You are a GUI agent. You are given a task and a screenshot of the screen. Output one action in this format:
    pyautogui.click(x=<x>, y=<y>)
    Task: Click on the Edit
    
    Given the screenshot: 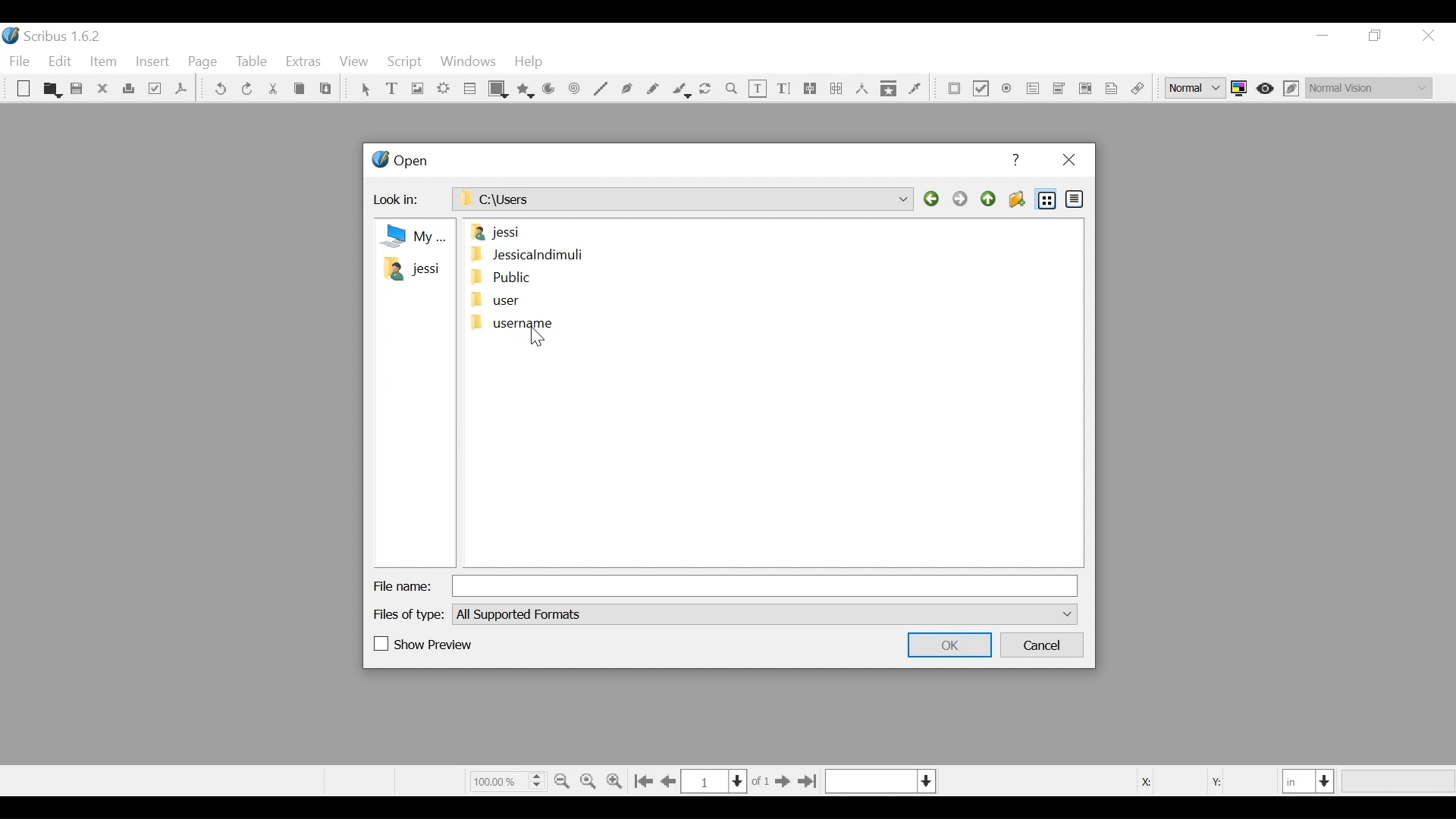 What is the action you would take?
    pyautogui.click(x=61, y=62)
    